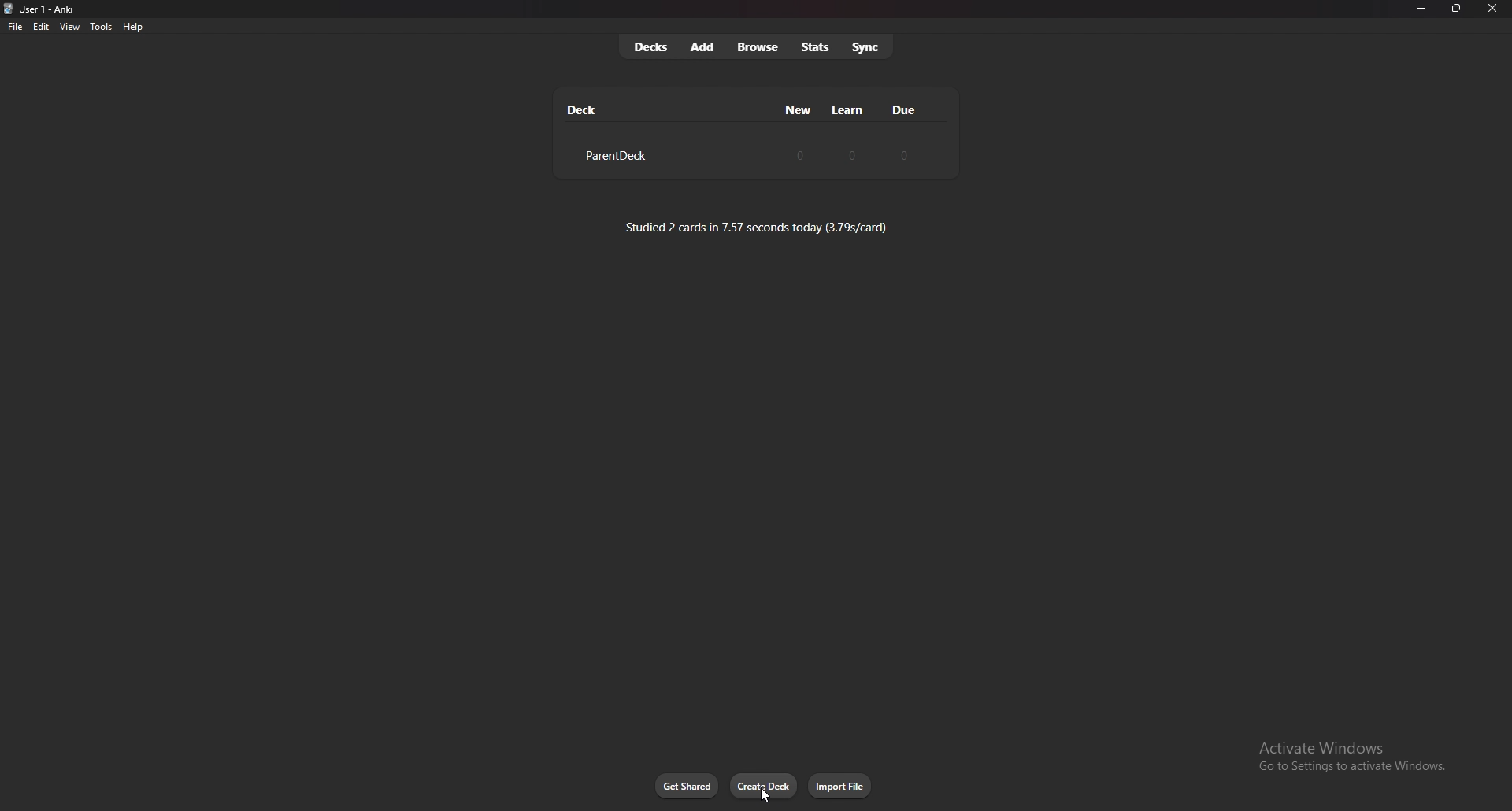 This screenshot has height=811, width=1512. I want to click on learn, so click(848, 110).